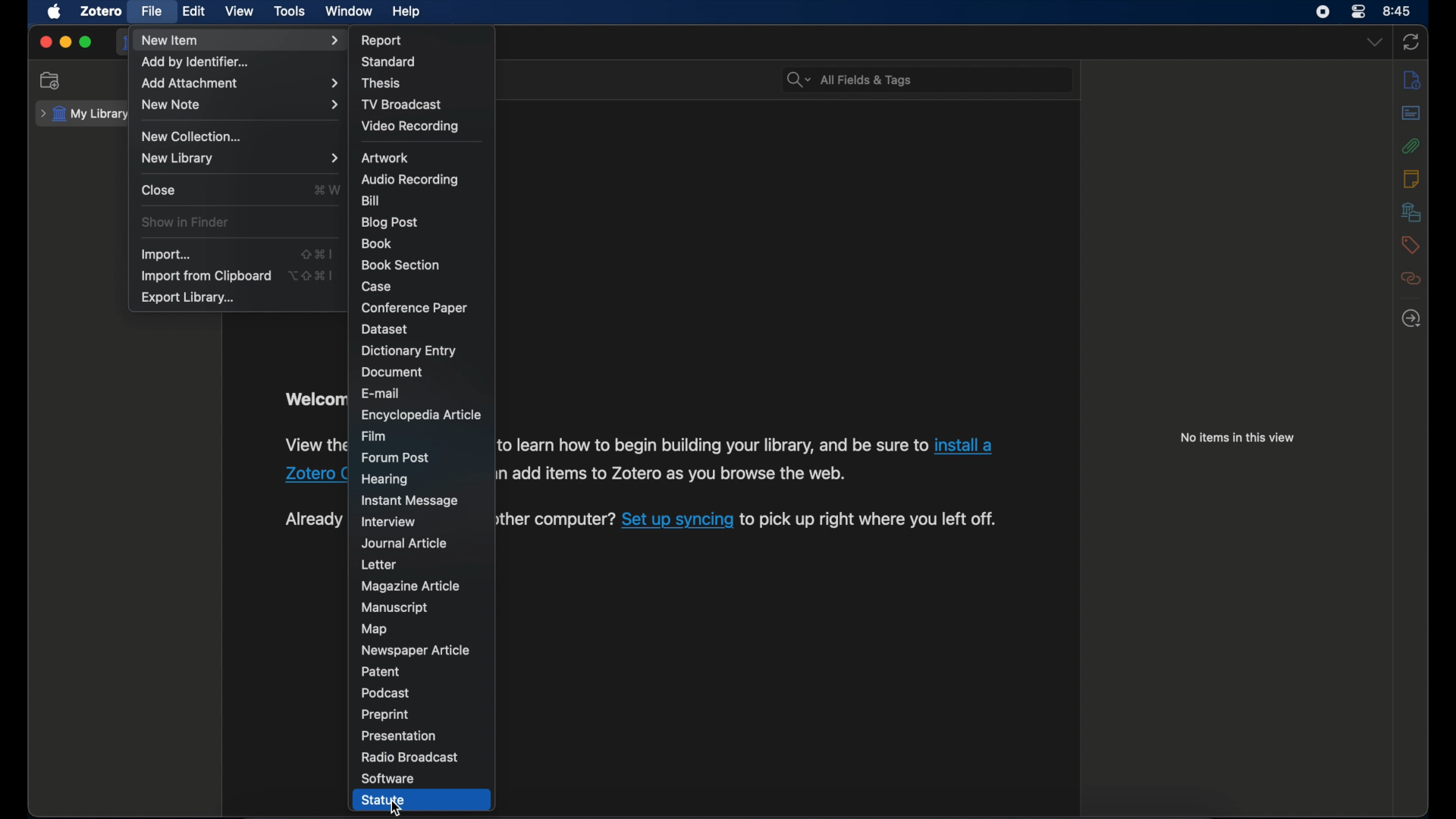 This screenshot has height=819, width=1456. Describe the element at coordinates (400, 808) in the screenshot. I see `cursor on Statute` at that location.